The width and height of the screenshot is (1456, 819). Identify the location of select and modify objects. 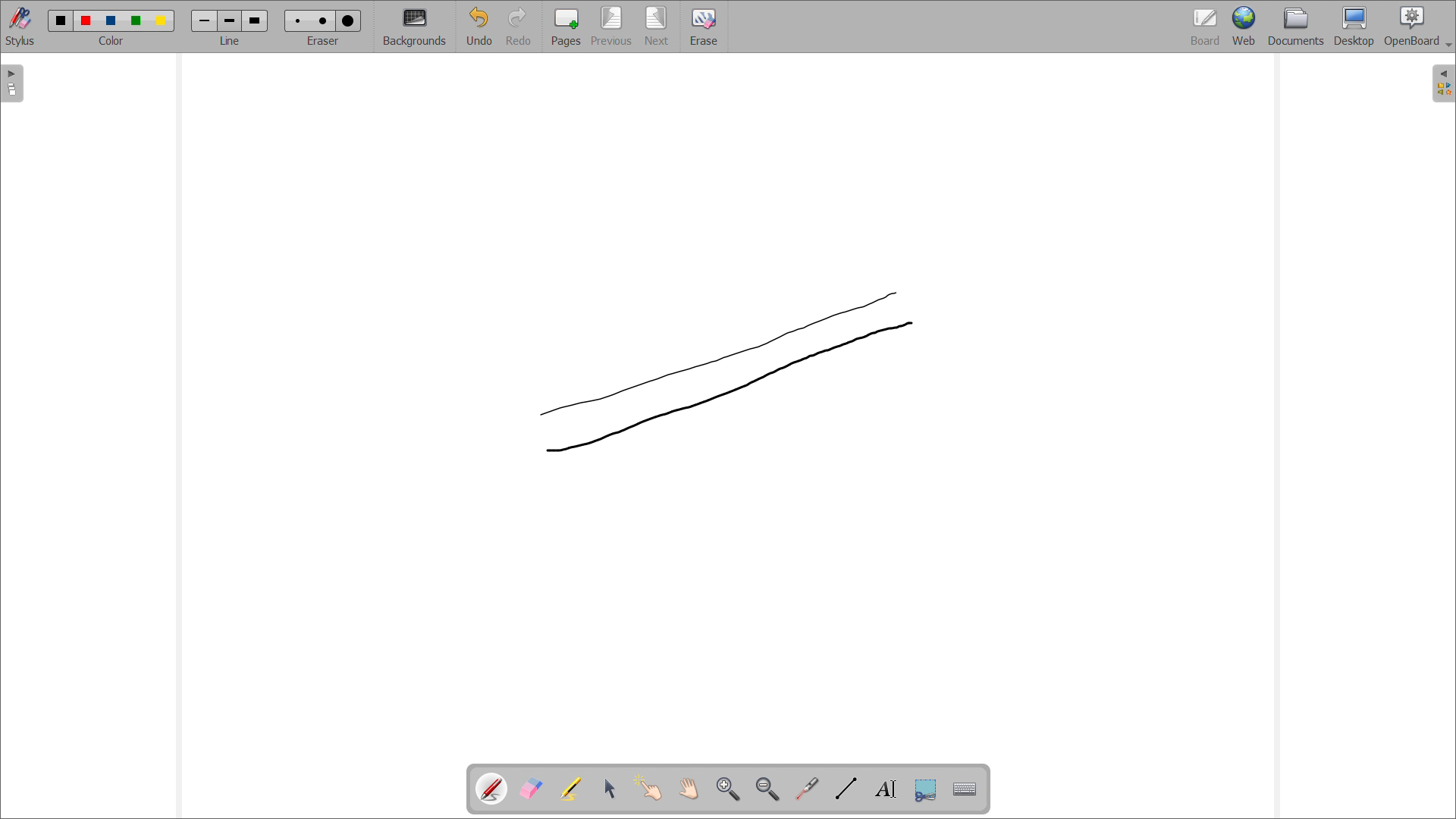
(610, 789).